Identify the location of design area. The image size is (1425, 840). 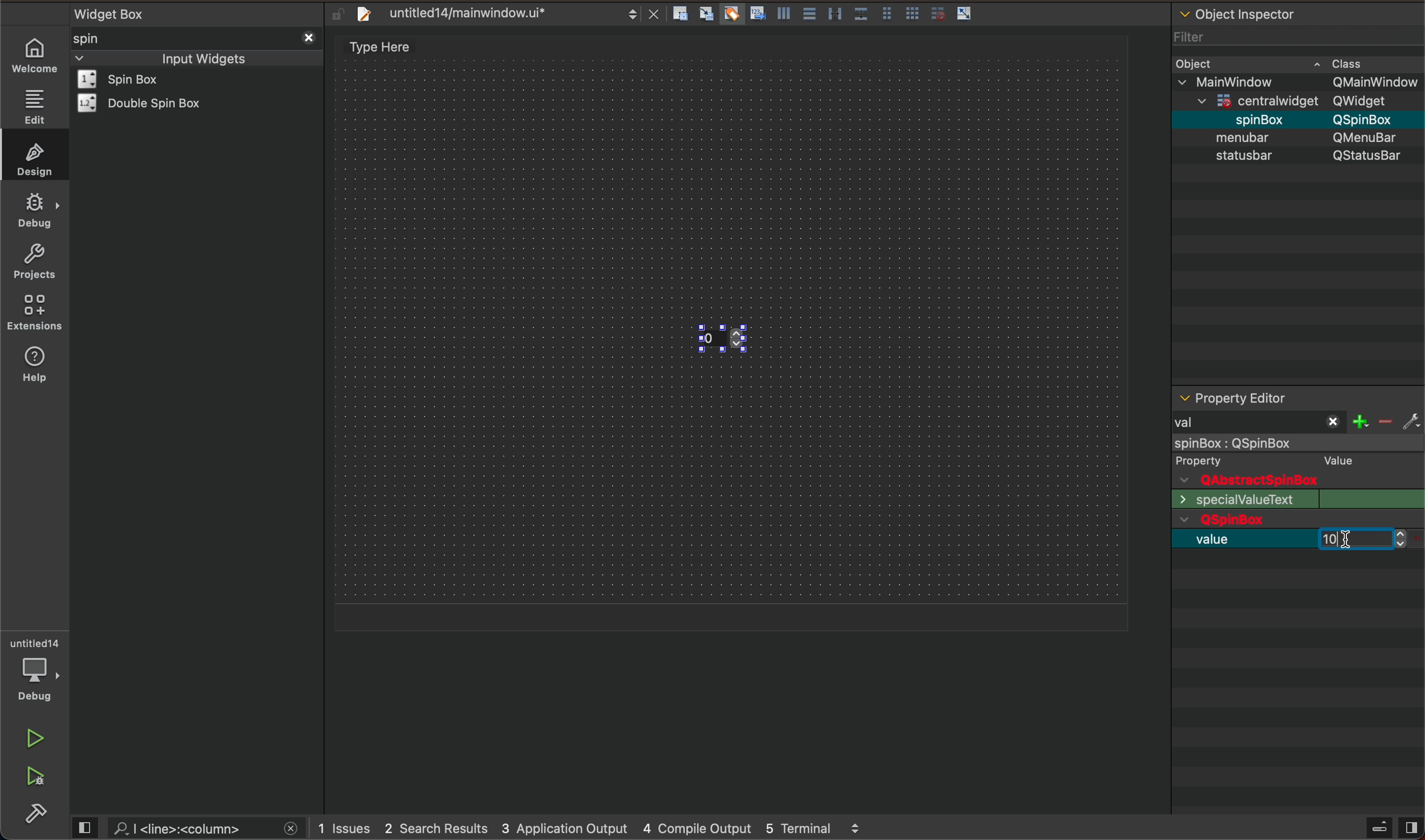
(387, 47).